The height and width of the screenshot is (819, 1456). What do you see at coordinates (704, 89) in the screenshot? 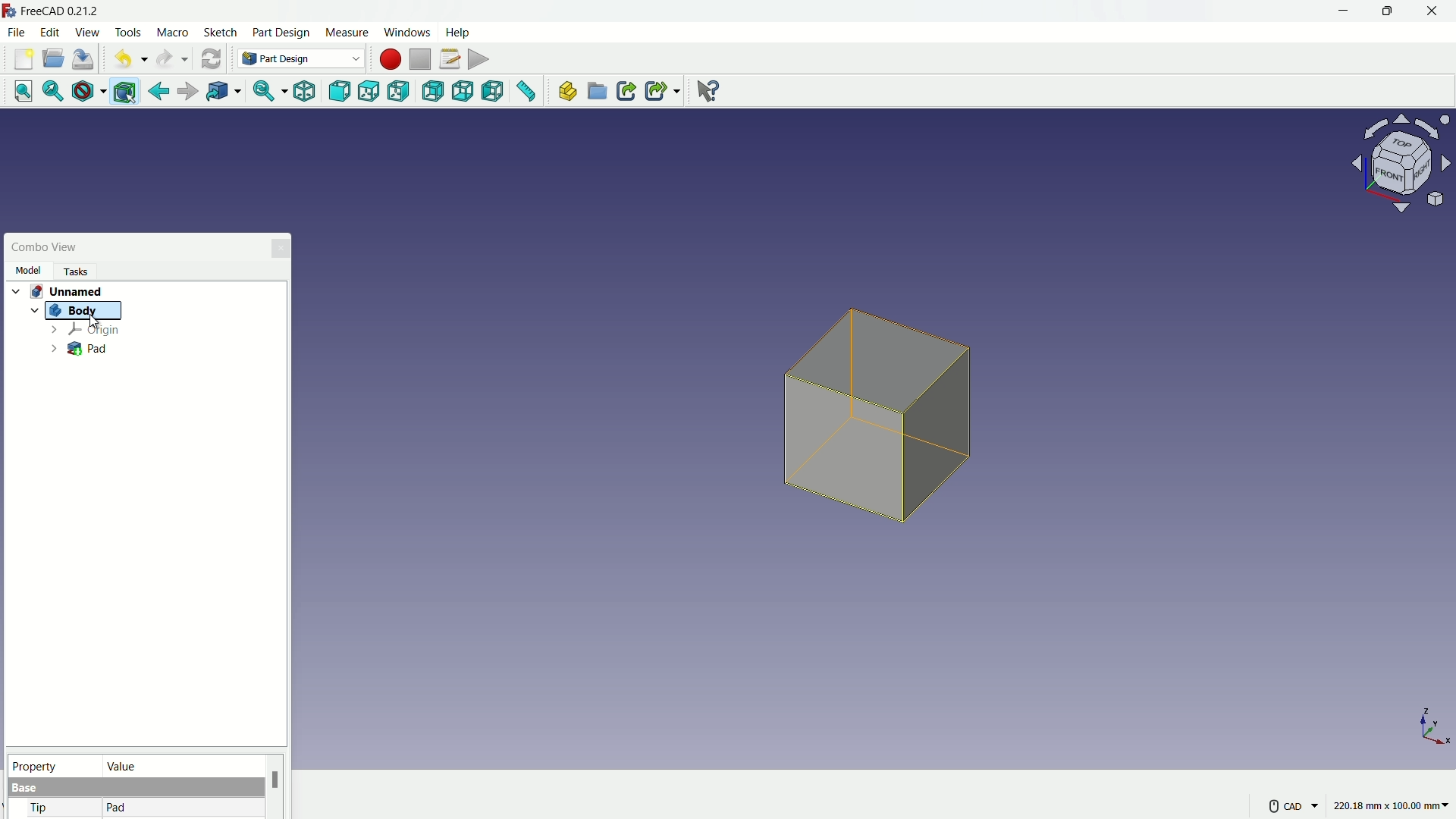
I see `help extension` at bounding box center [704, 89].